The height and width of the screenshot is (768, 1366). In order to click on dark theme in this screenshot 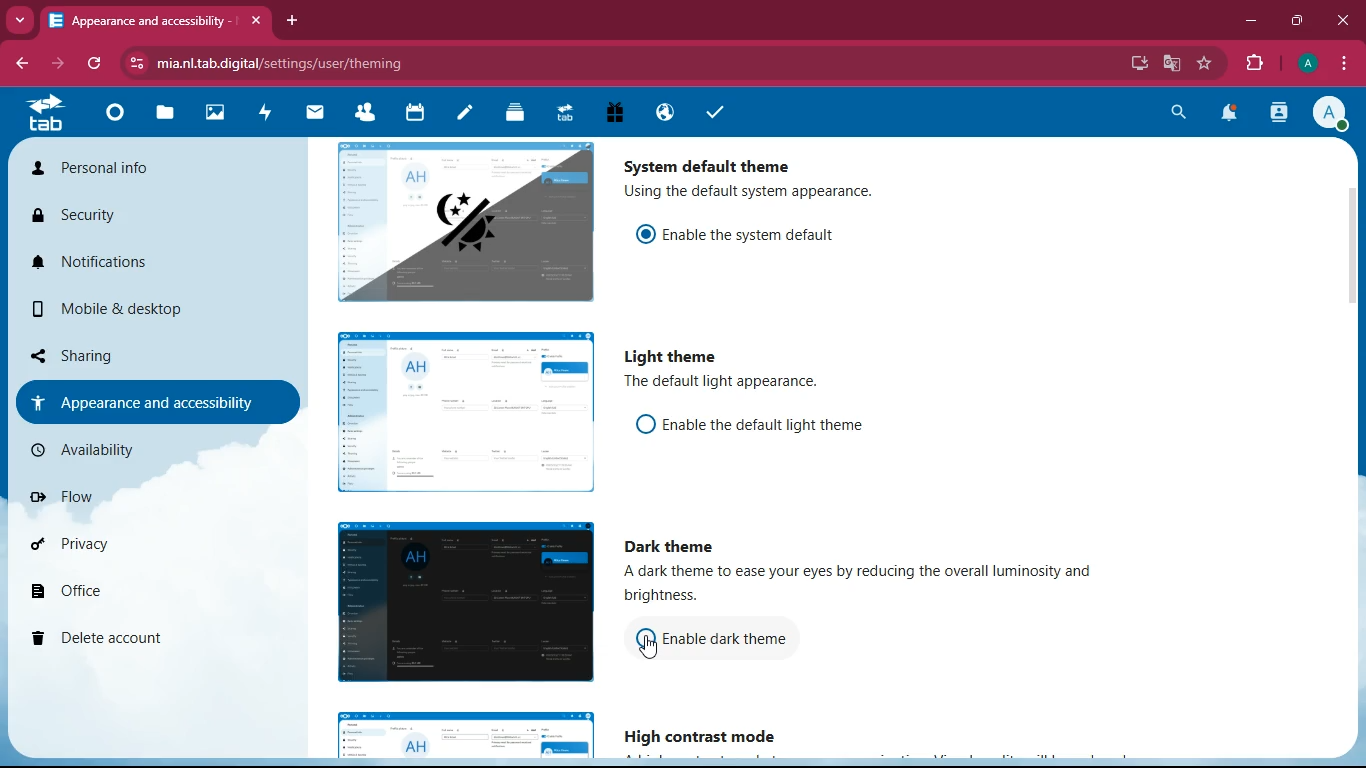, I will do `click(680, 547)`.